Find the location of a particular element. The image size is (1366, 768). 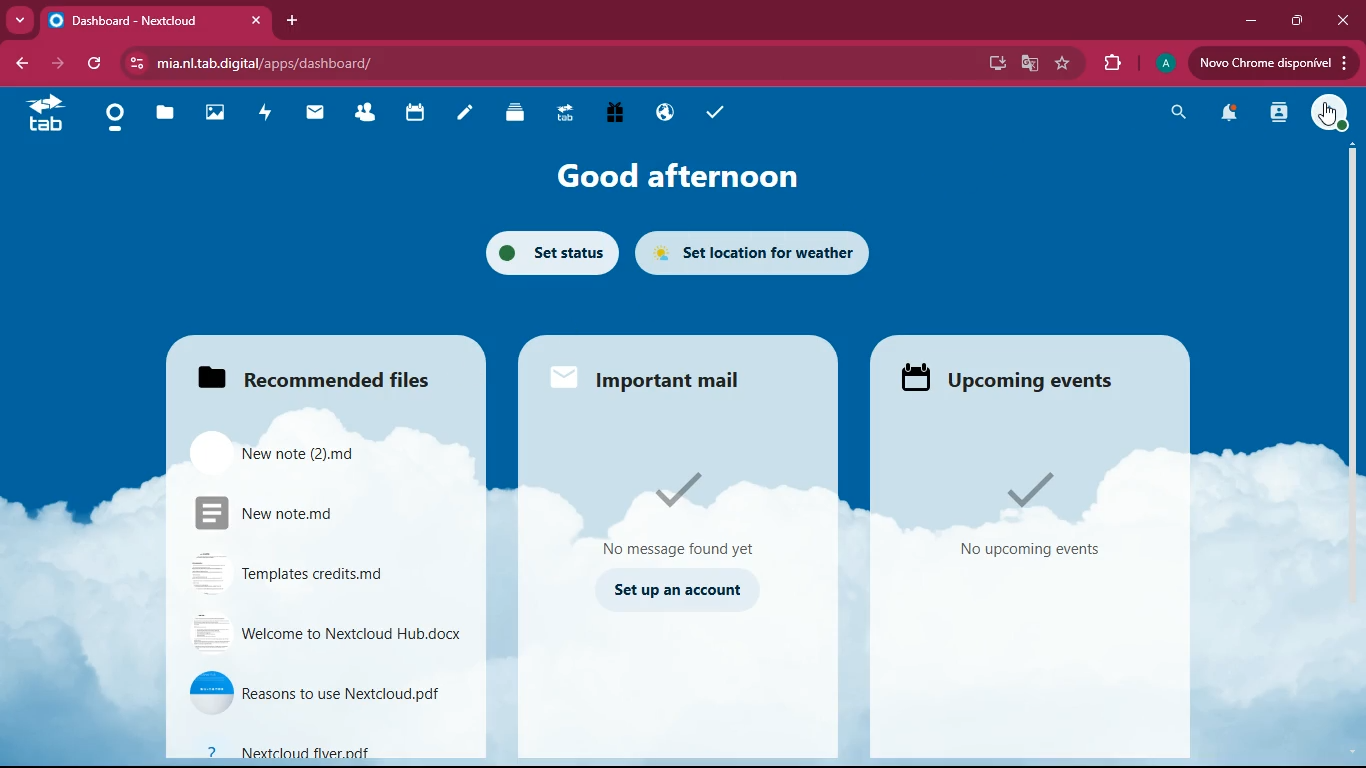

files is located at coordinates (519, 117).